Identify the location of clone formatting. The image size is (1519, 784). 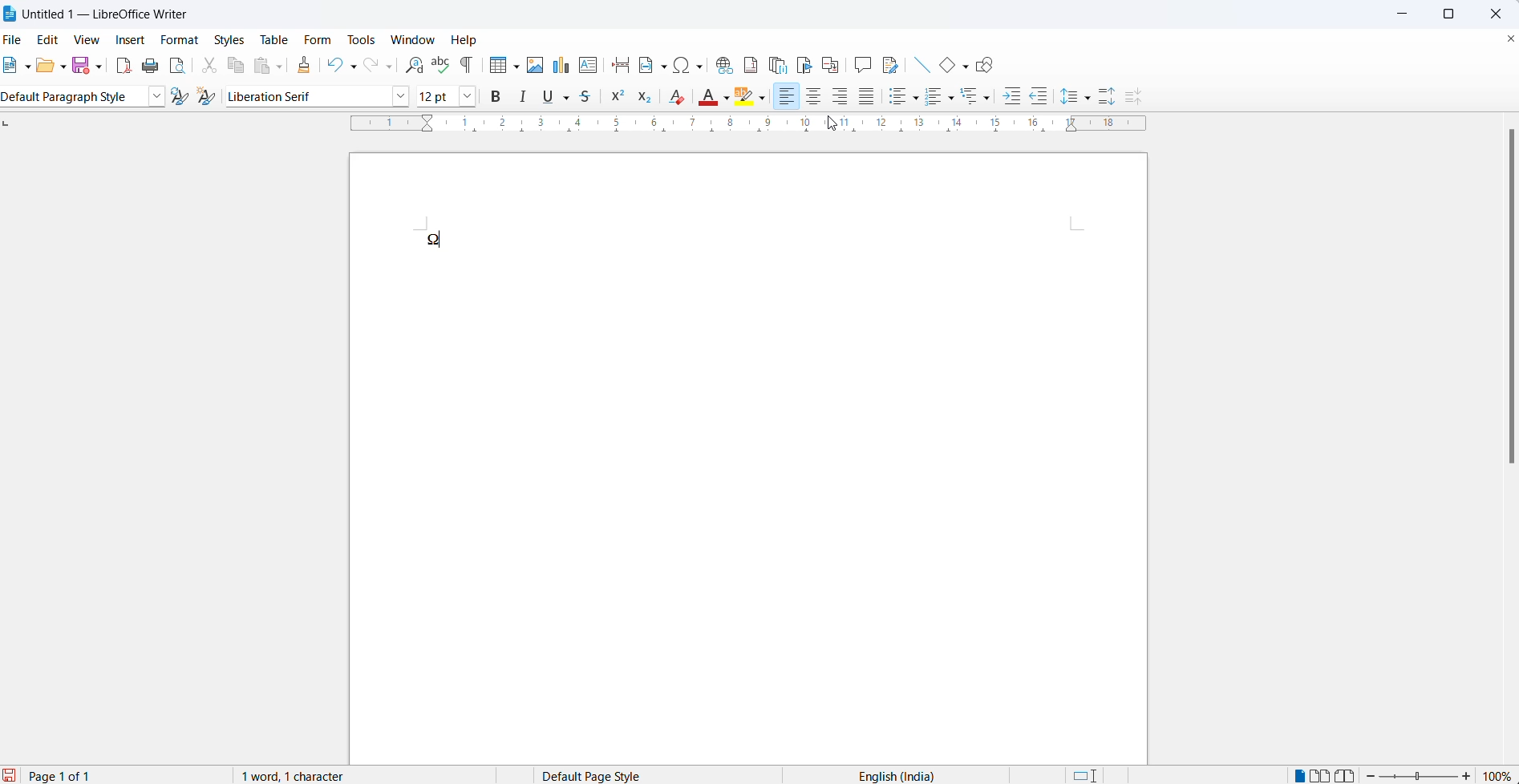
(307, 66).